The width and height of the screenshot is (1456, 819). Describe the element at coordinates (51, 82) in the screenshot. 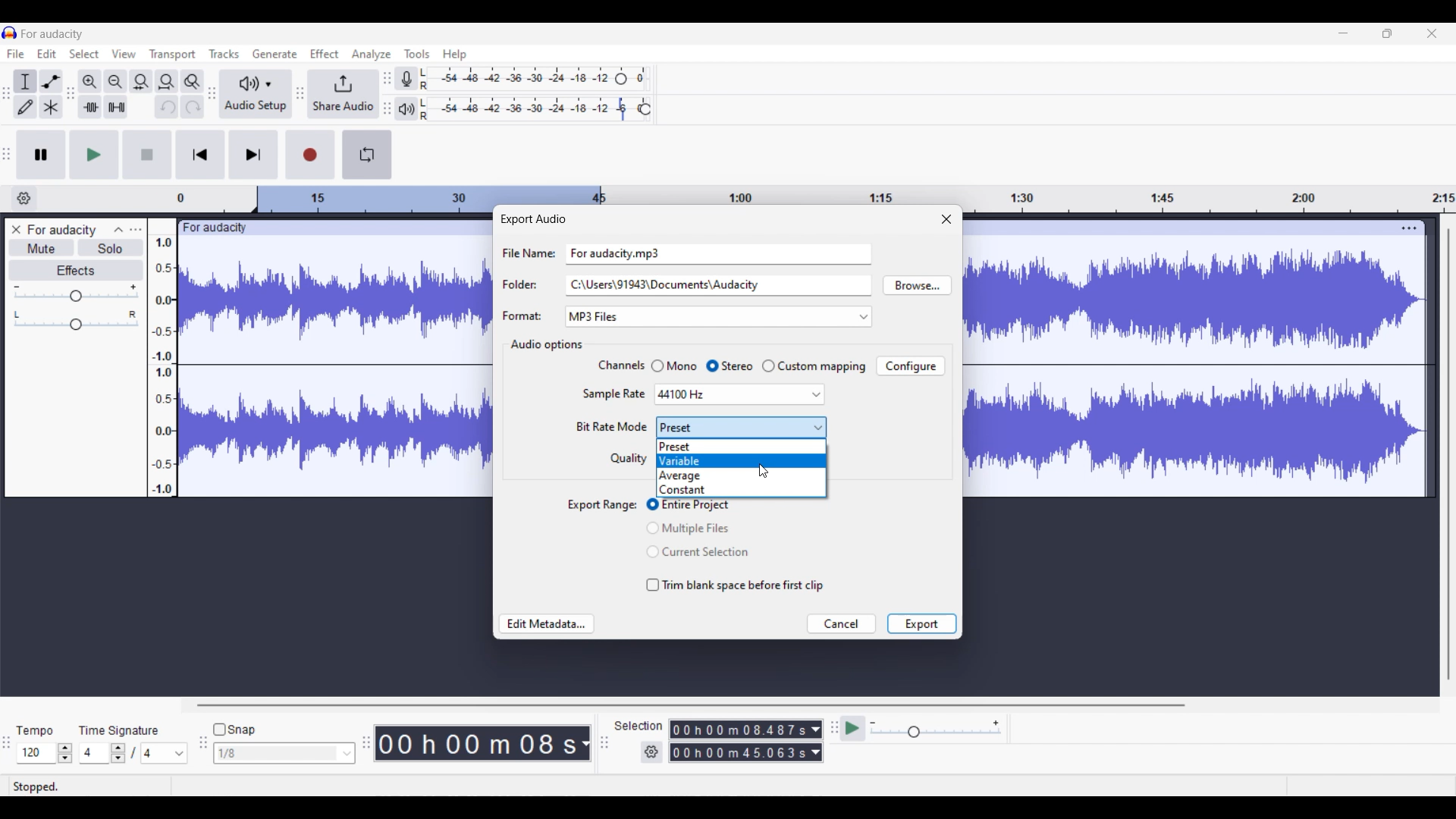

I see `Envelop tool` at that location.